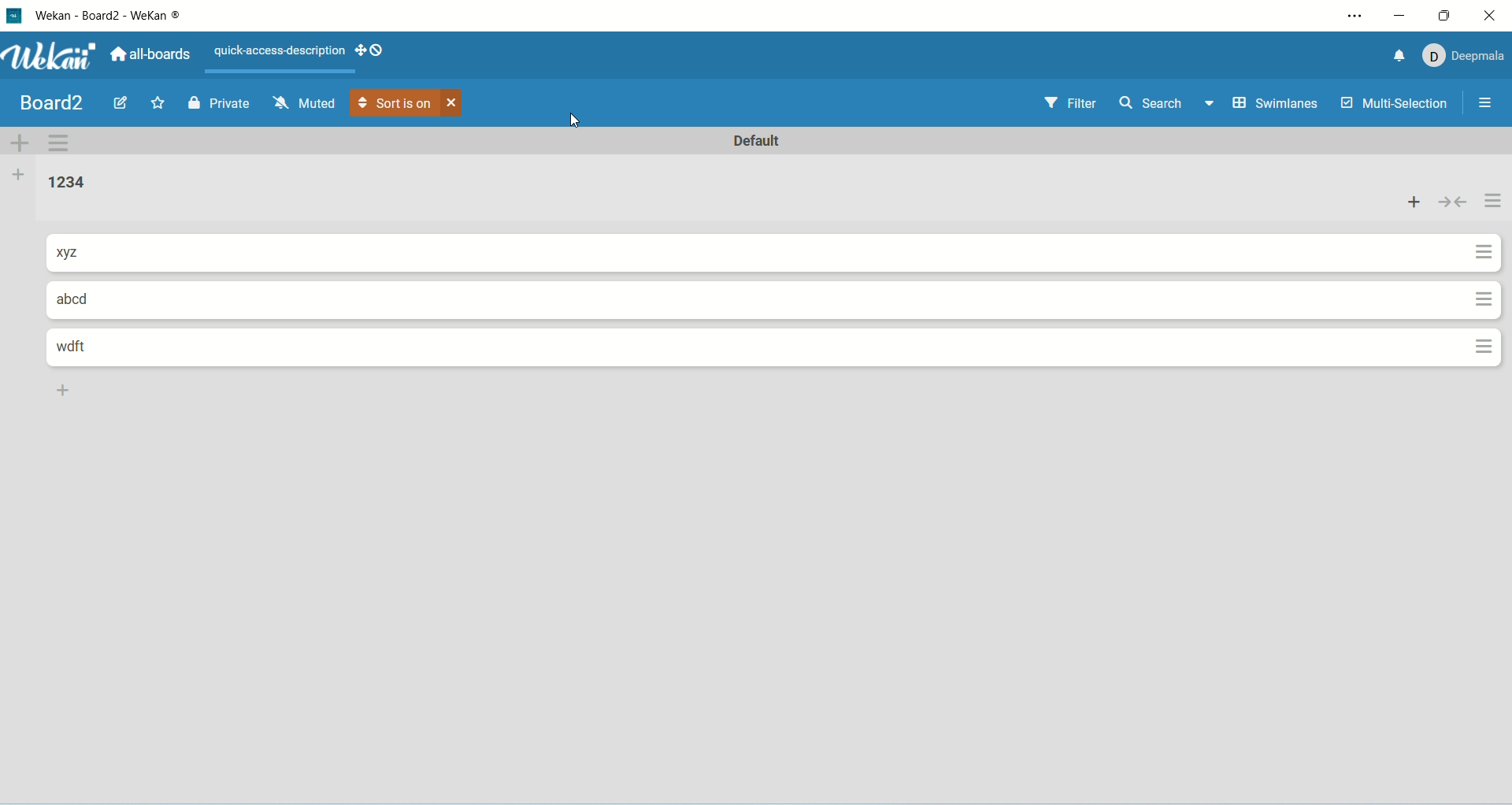 The height and width of the screenshot is (805, 1512). What do you see at coordinates (72, 184) in the screenshot?
I see `list` at bounding box center [72, 184].